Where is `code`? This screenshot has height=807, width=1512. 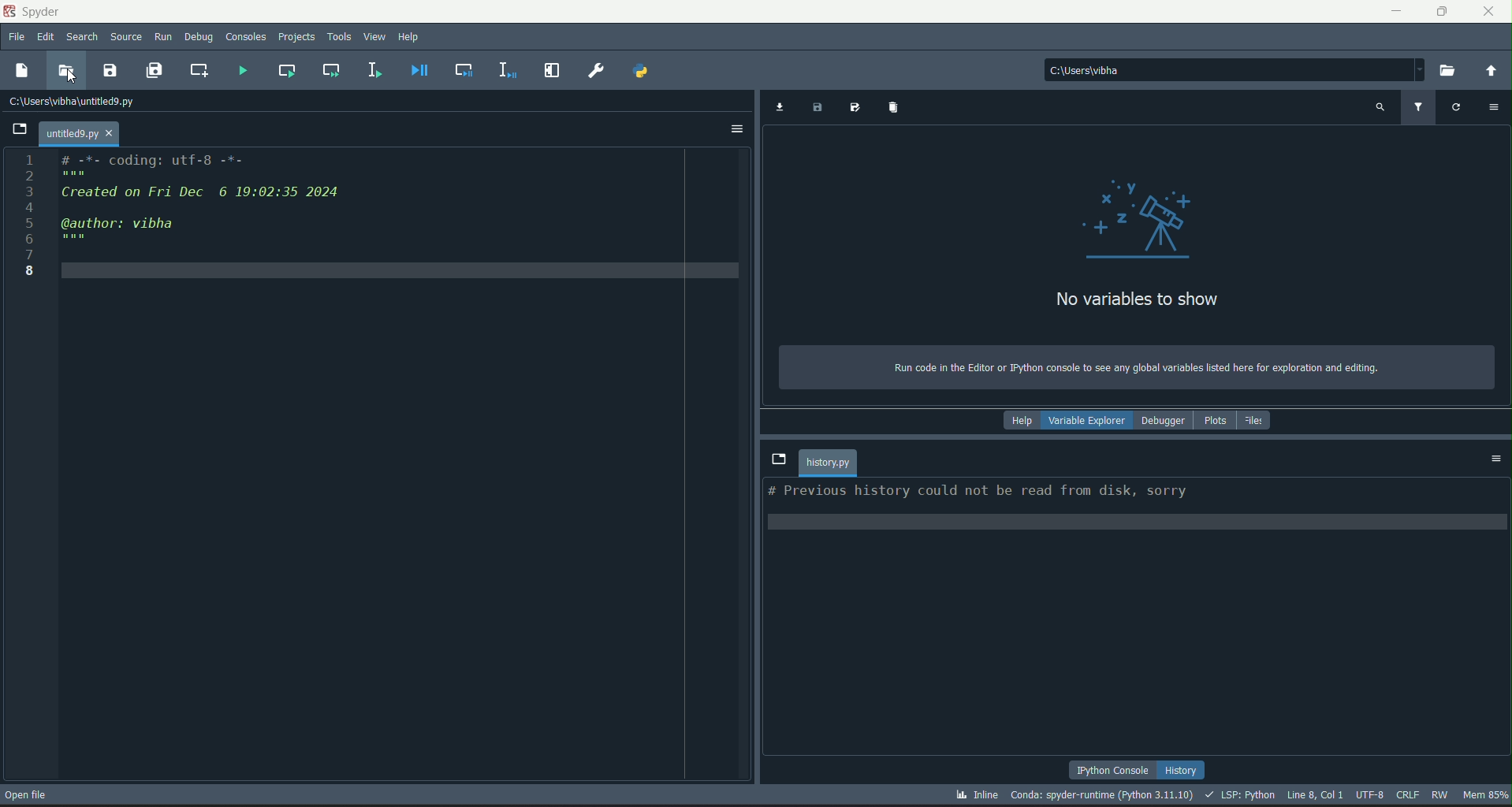 code is located at coordinates (203, 198).